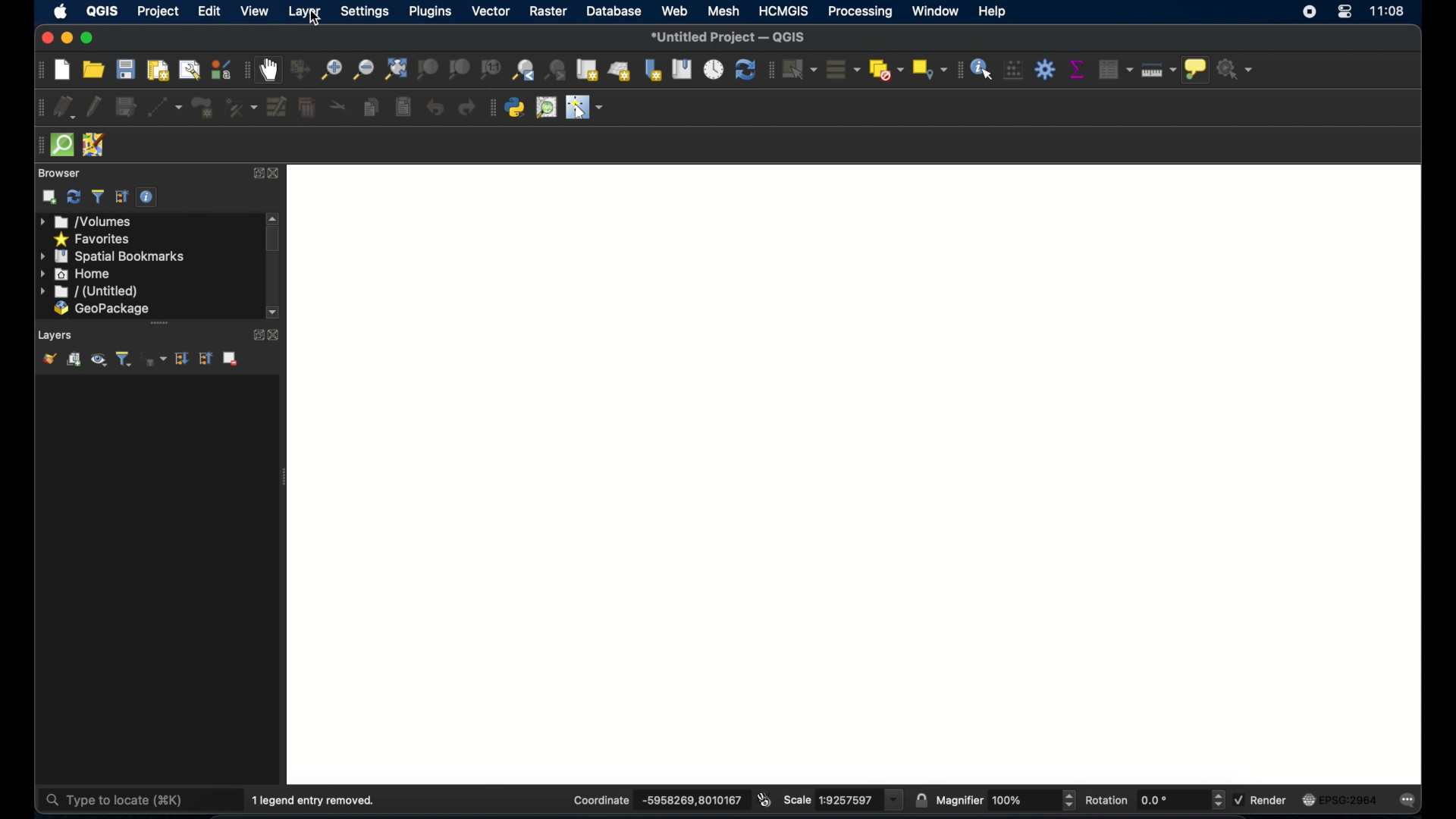 Image resolution: width=1456 pixels, height=819 pixels. Describe the element at coordinates (240, 108) in the screenshot. I see `modify attributes ` at that location.